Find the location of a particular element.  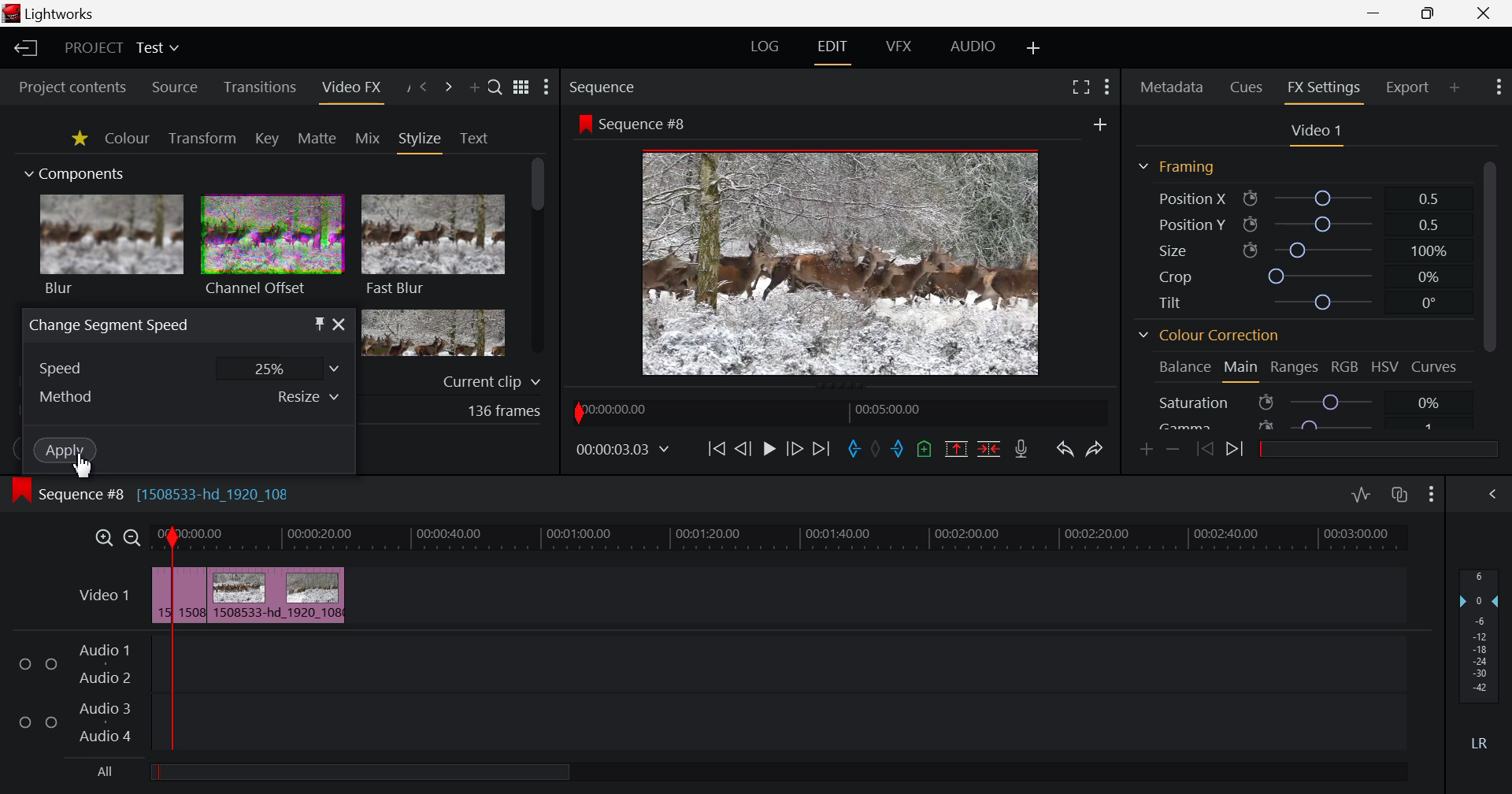

Window Title is located at coordinates (108, 325).